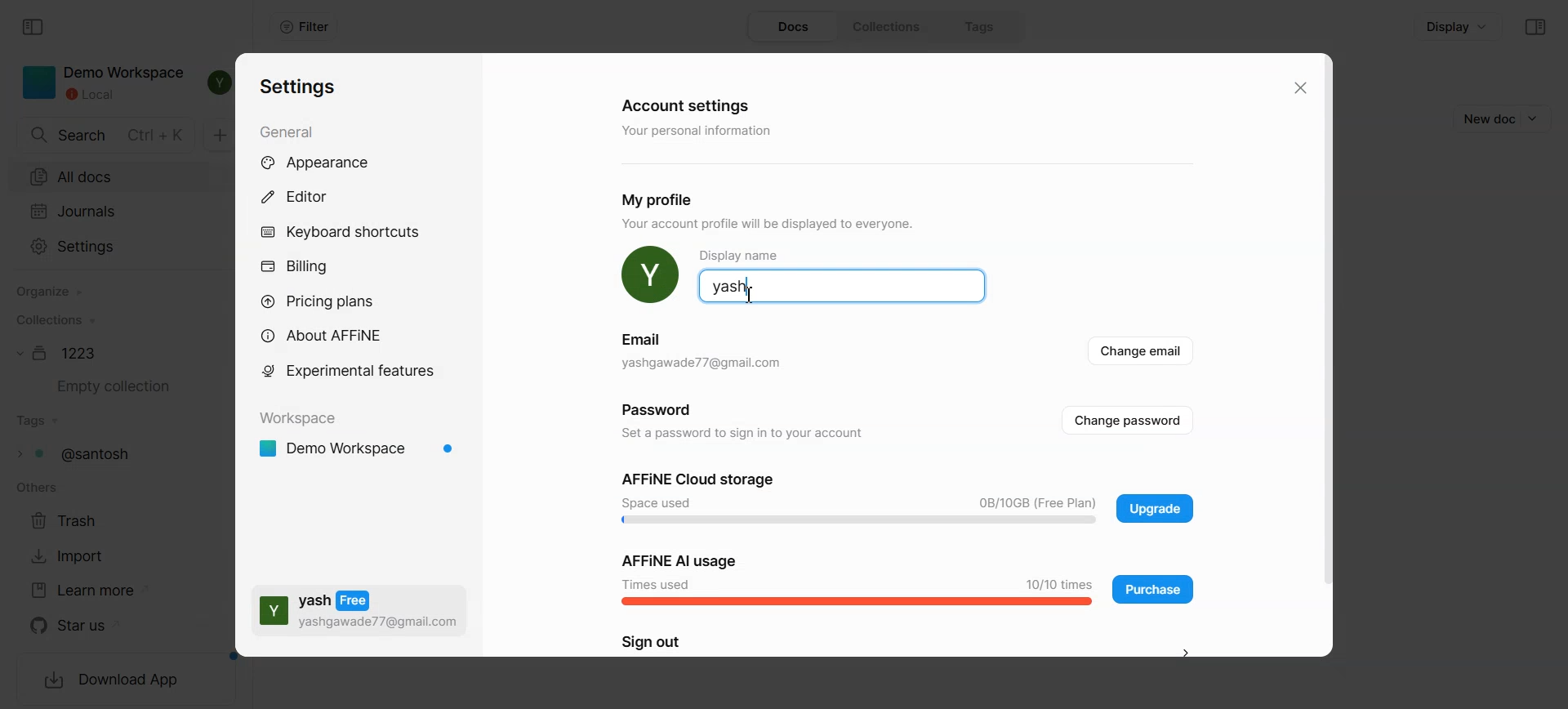 The image size is (1568, 709). What do you see at coordinates (332, 163) in the screenshot?
I see `Appearance` at bounding box center [332, 163].